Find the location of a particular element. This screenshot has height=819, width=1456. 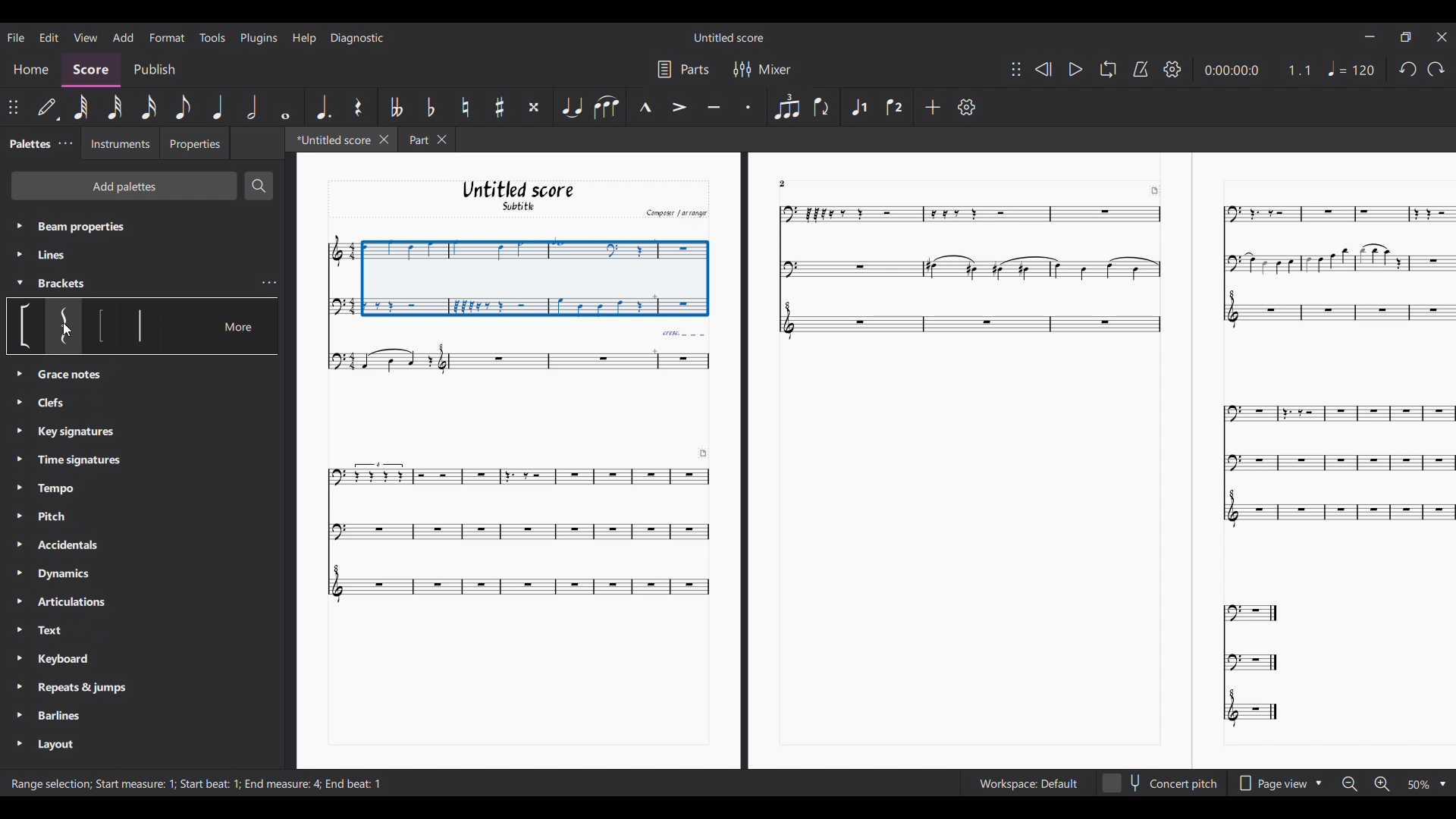

 is located at coordinates (14, 224).